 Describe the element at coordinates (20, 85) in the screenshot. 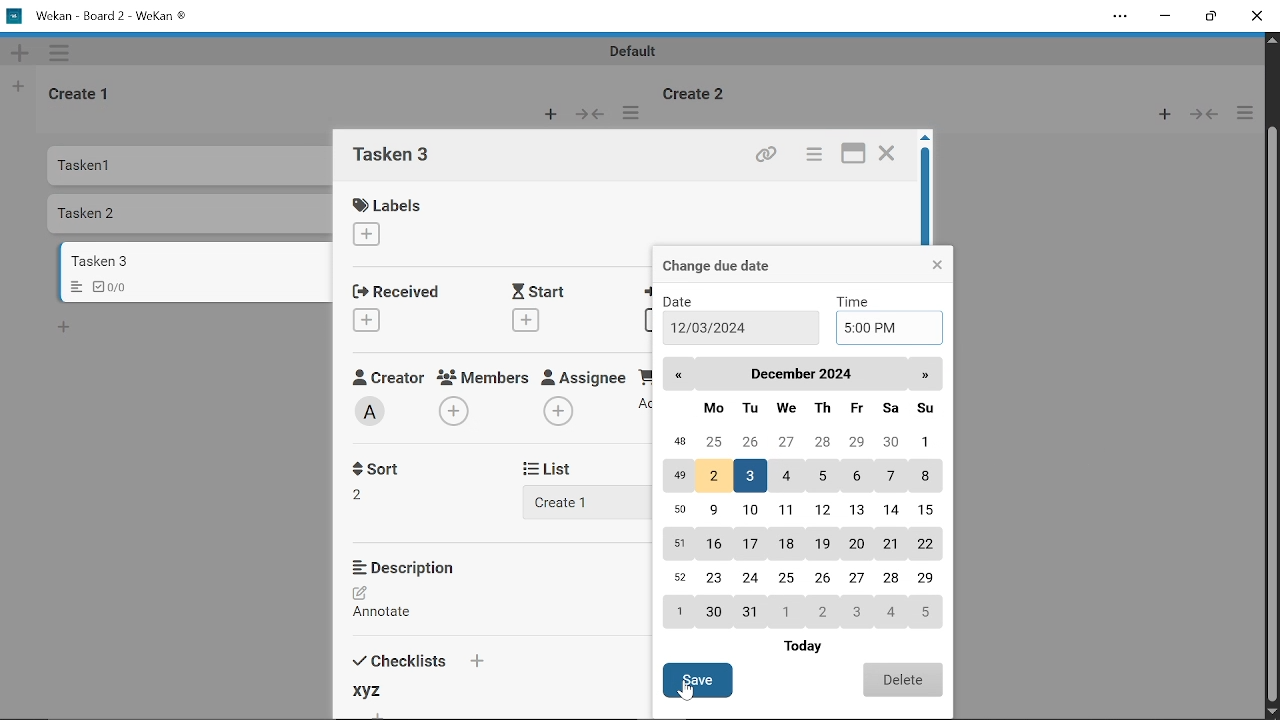

I see `New` at that location.